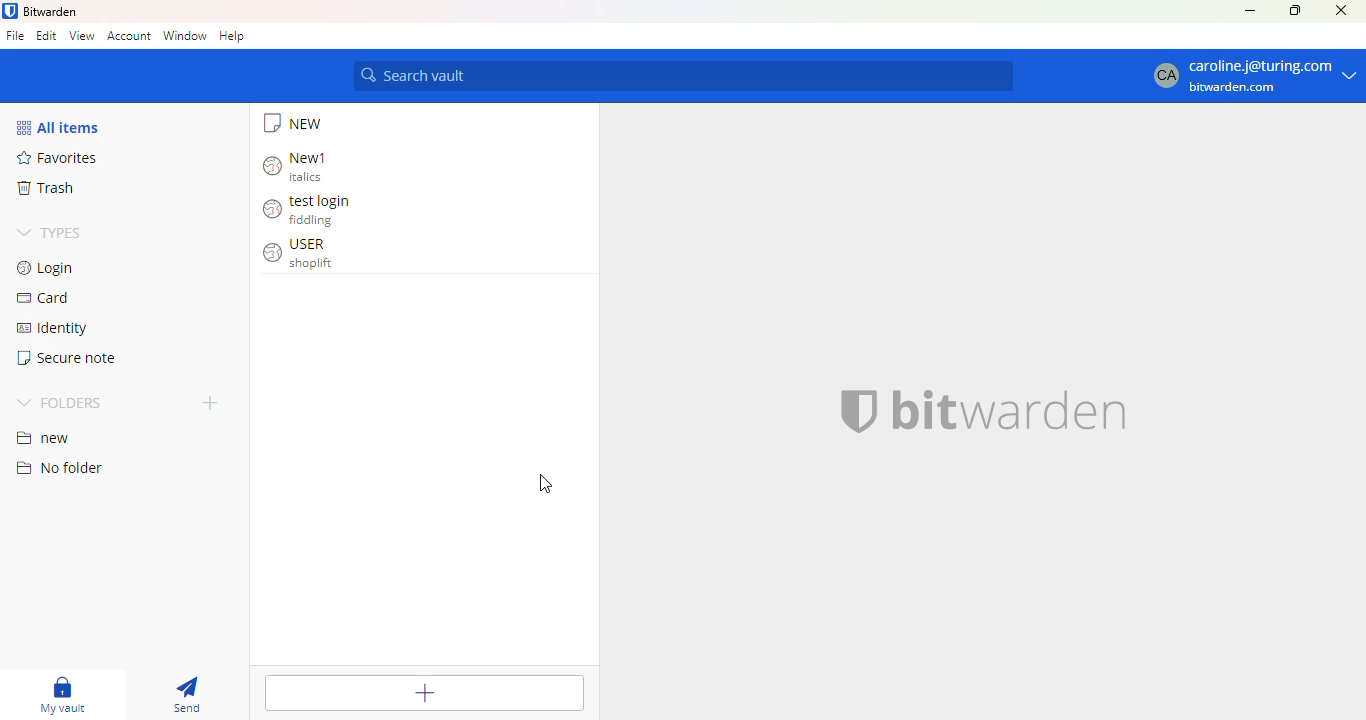  Describe the element at coordinates (57, 467) in the screenshot. I see `no folder` at that location.